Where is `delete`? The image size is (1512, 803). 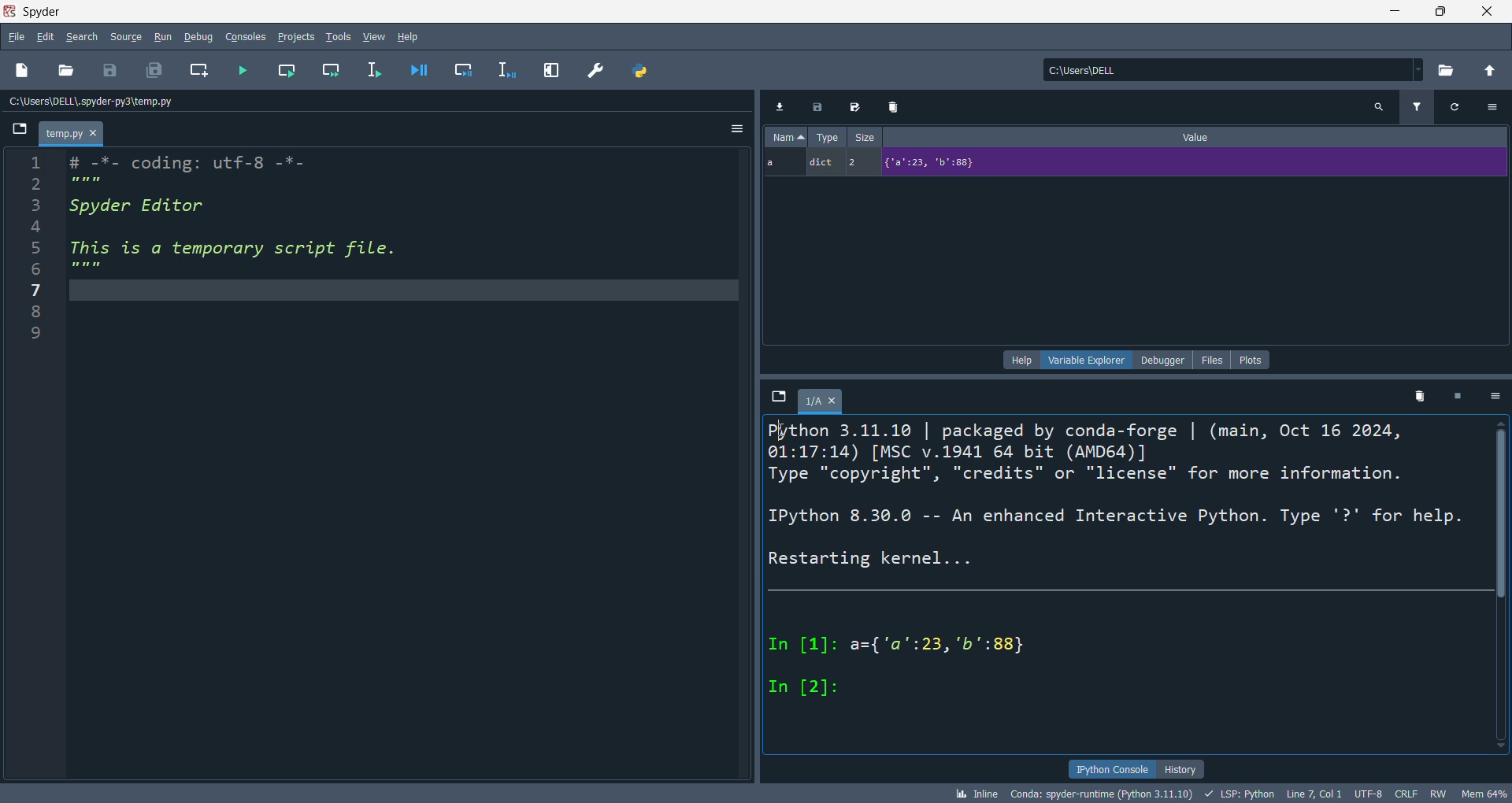
delete is located at coordinates (897, 105).